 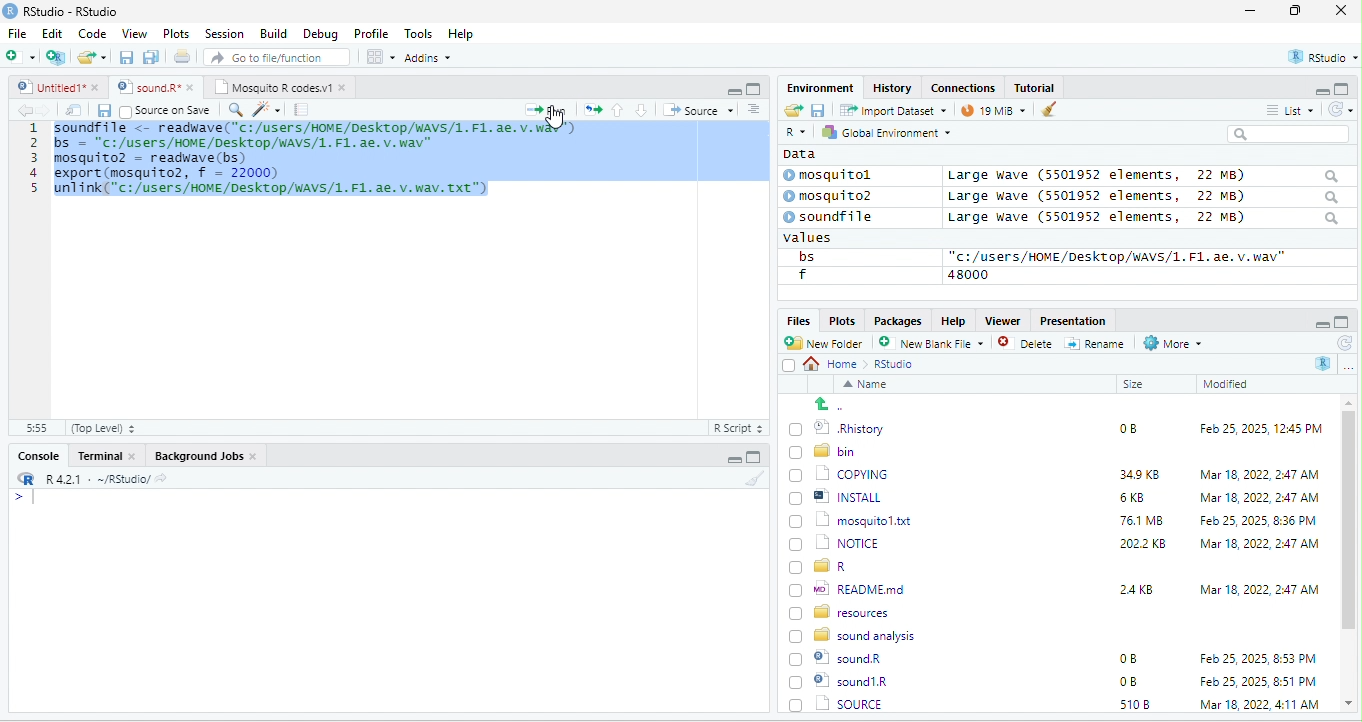 I want to click on brush, so click(x=1044, y=111).